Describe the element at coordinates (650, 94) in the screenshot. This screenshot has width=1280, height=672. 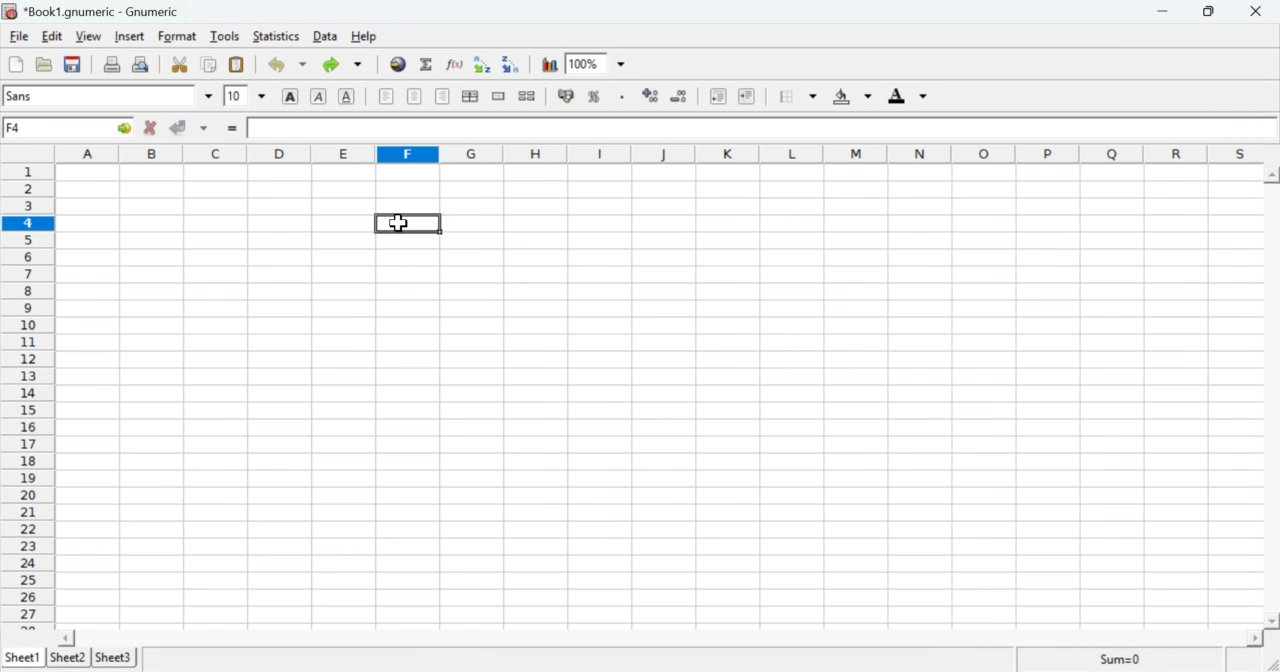
I see `Increase the number of decimals` at that location.